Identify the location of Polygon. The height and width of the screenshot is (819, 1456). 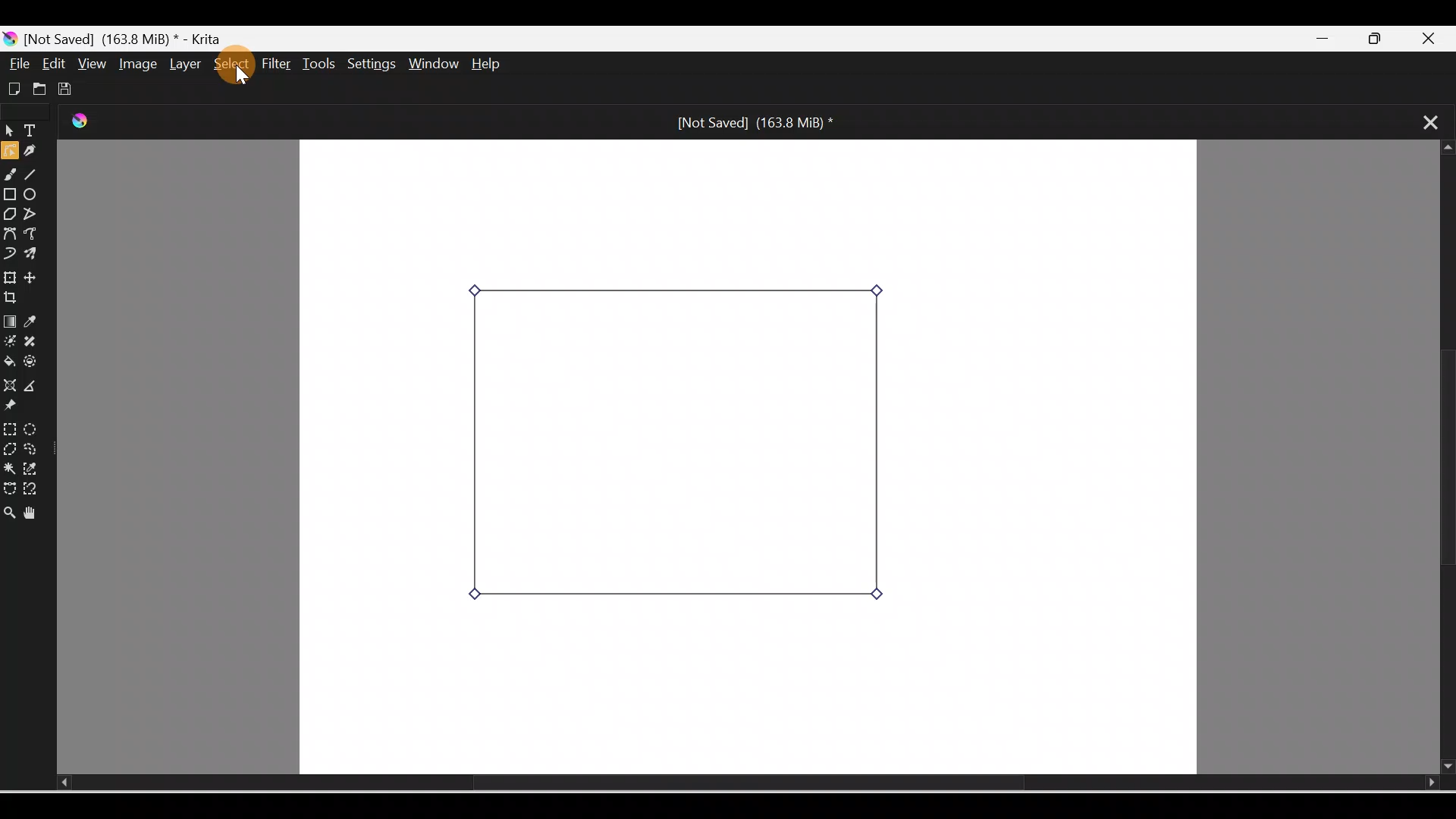
(9, 214).